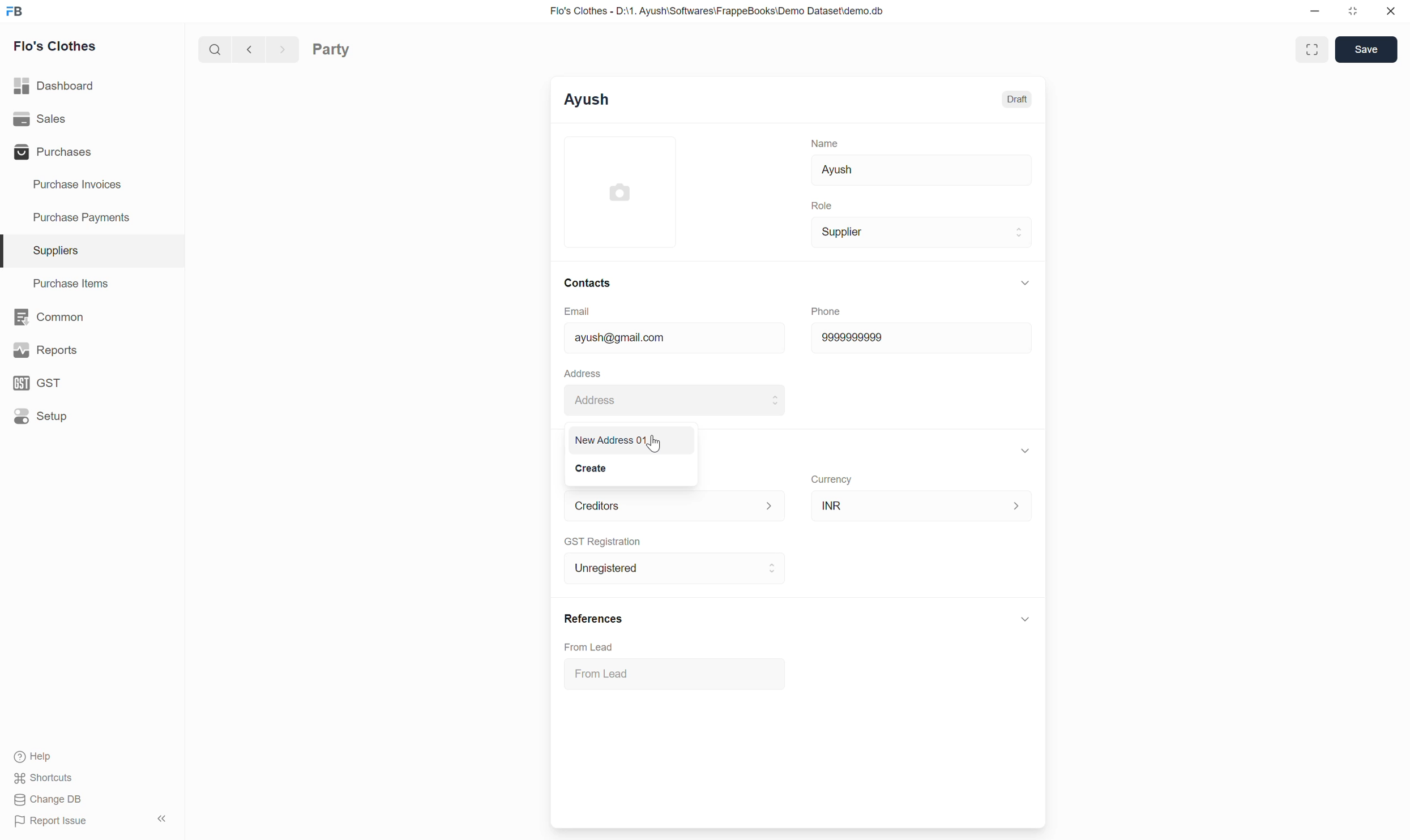 This screenshot has height=840, width=1410. I want to click on From Lead, so click(588, 647).